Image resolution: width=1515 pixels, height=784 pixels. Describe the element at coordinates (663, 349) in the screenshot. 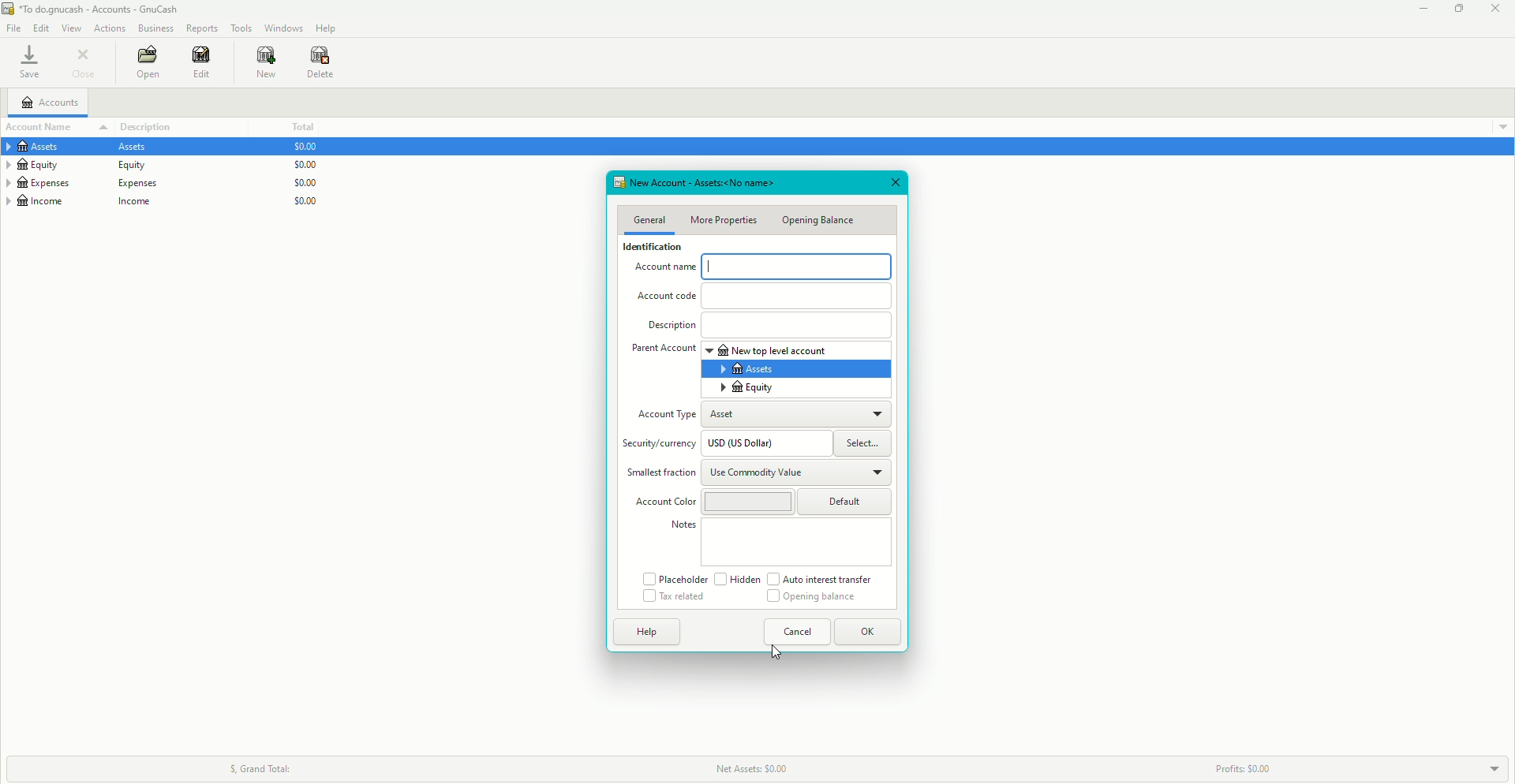

I see `Parent account` at that location.